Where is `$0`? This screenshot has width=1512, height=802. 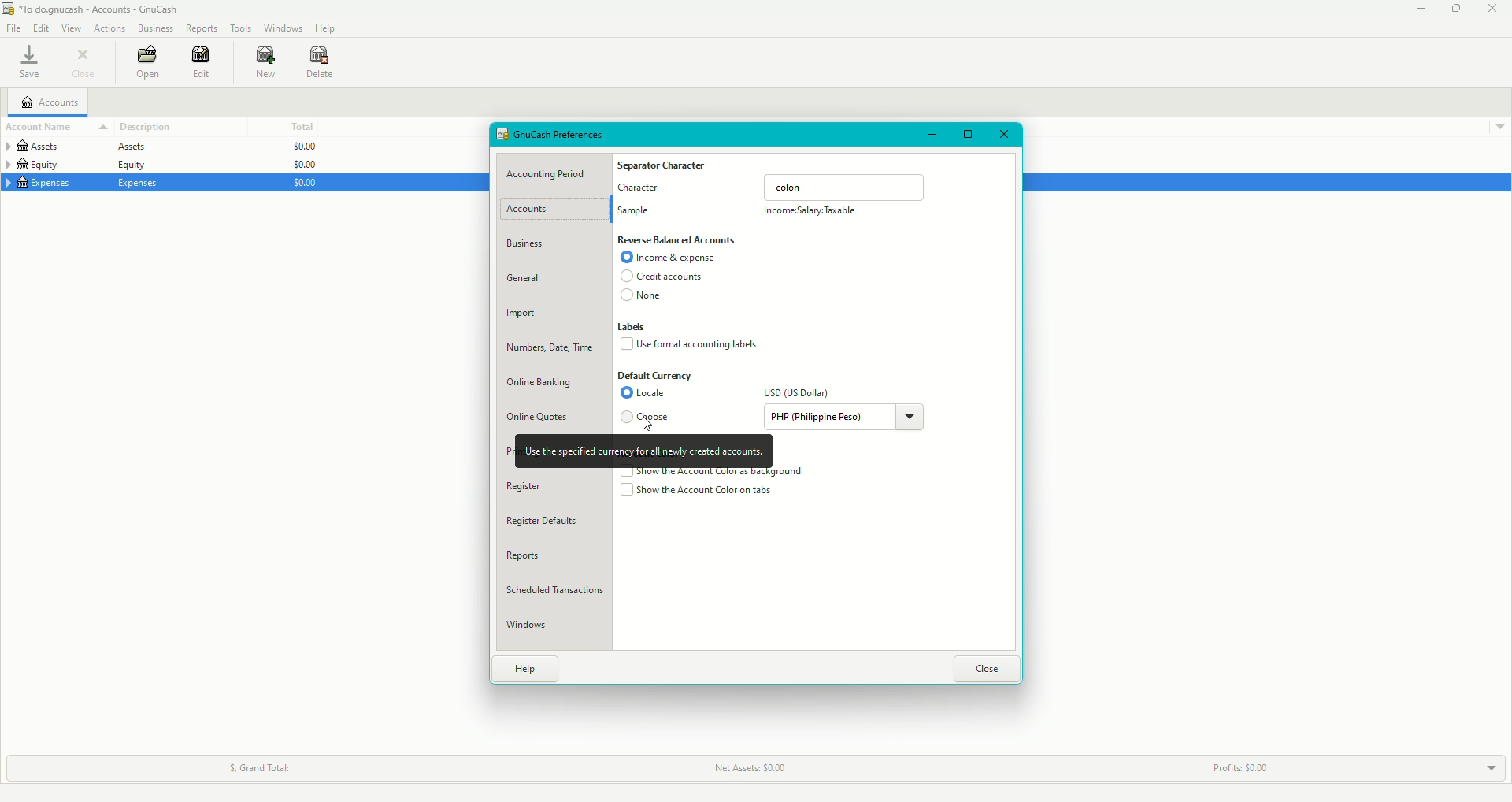
$0 is located at coordinates (300, 165).